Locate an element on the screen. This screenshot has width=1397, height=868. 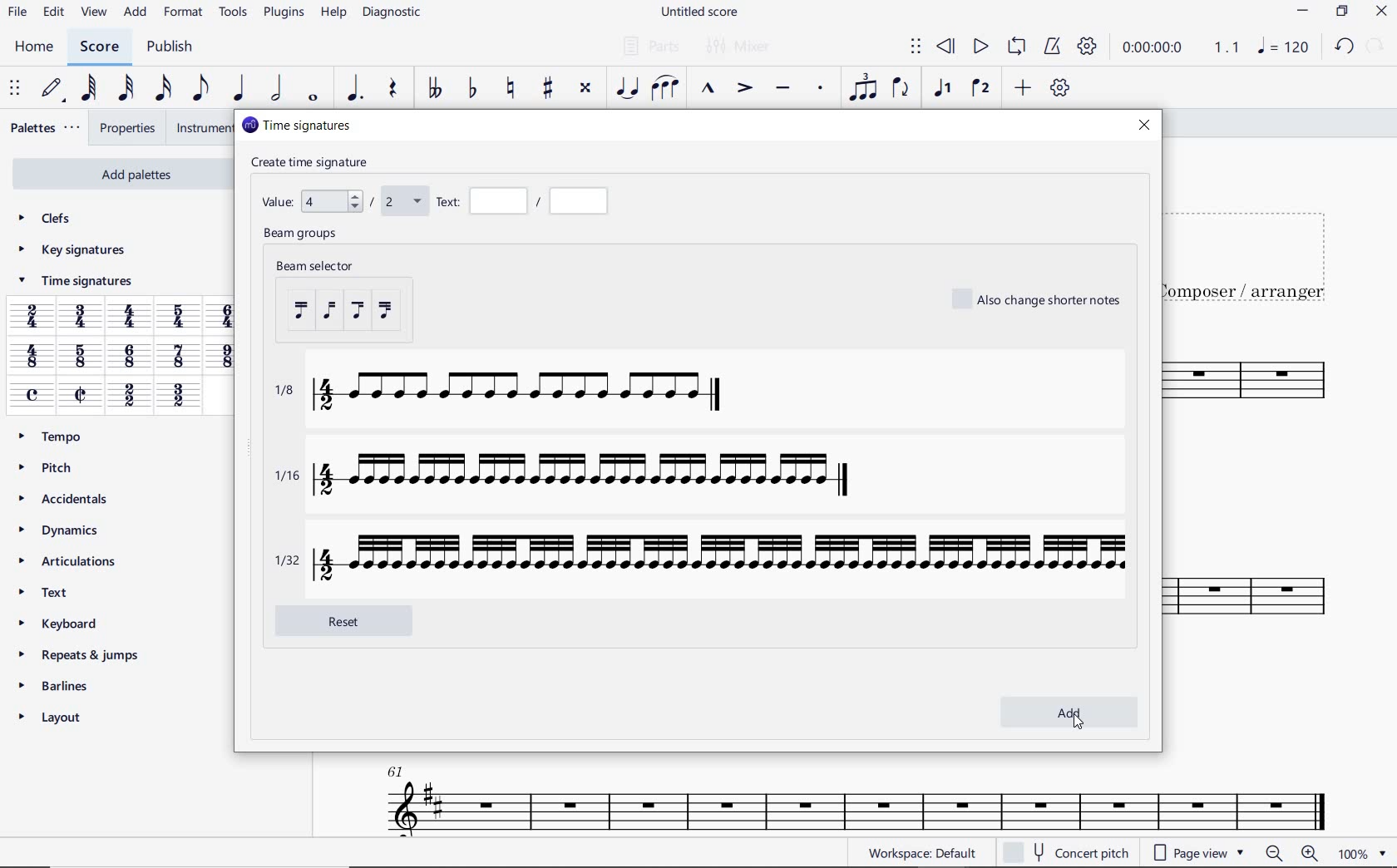
6/4 is located at coordinates (227, 316).